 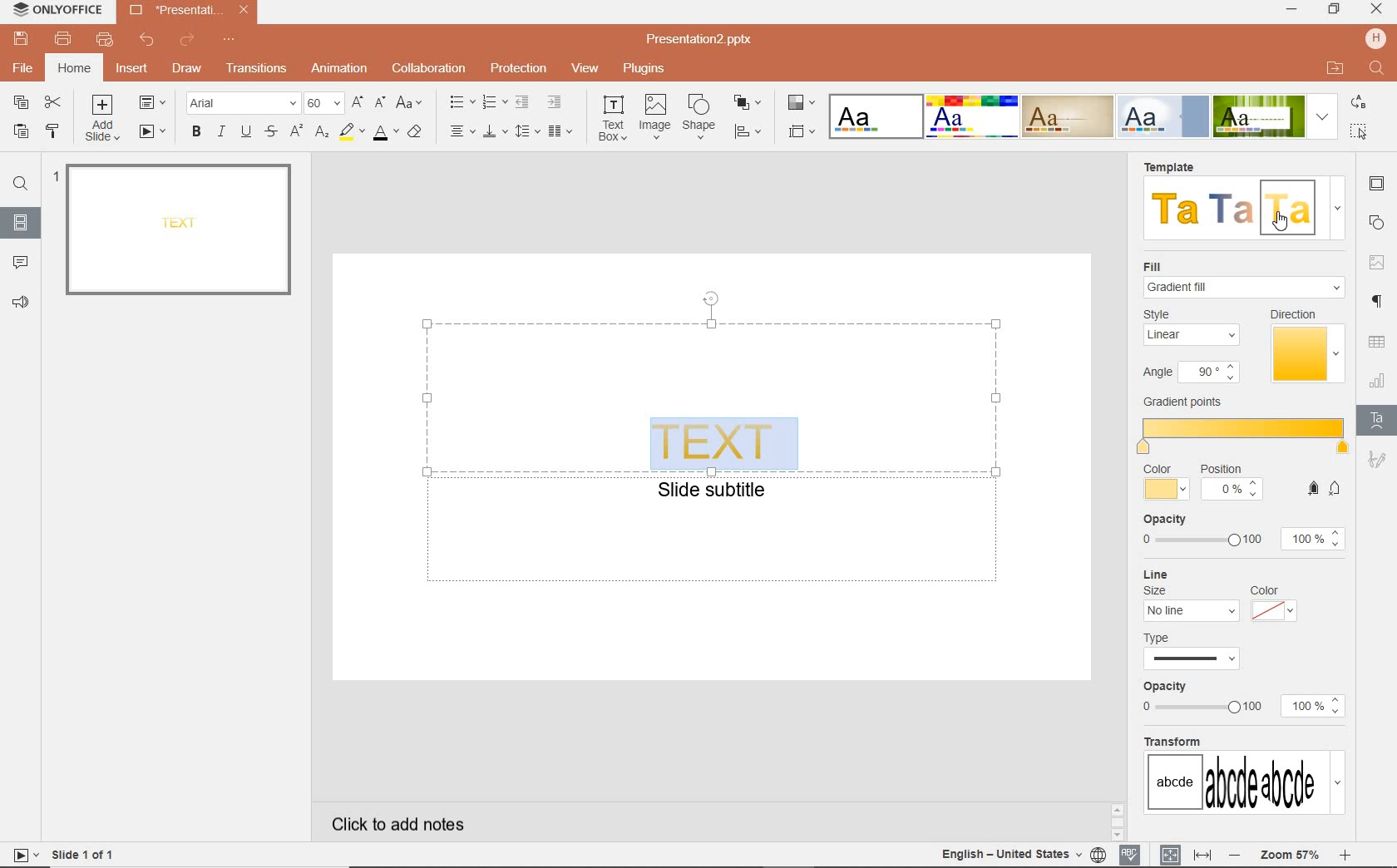 What do you see at coordinates (23, 70) in the screenshot?
I see `FILE` at bounding box center [23, 70].